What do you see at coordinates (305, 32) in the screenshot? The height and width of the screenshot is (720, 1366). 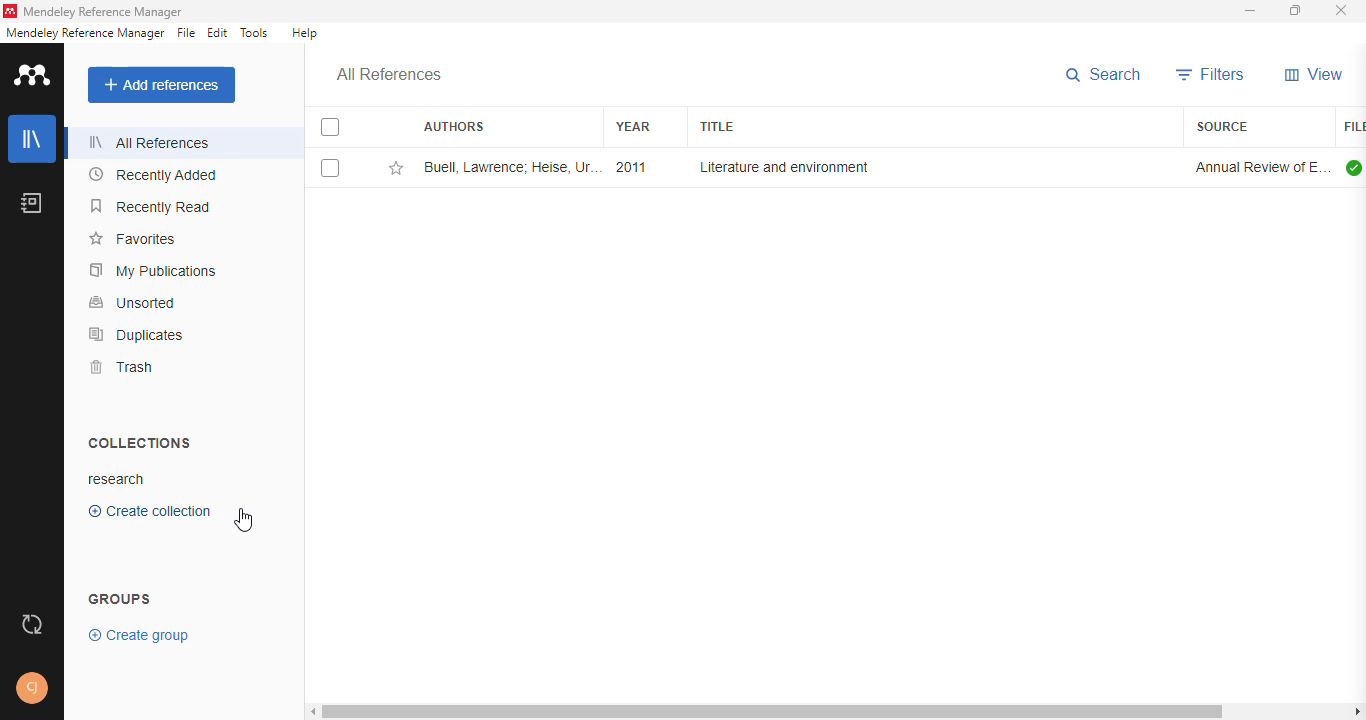 I see `help` at bounding box center [305, 32].